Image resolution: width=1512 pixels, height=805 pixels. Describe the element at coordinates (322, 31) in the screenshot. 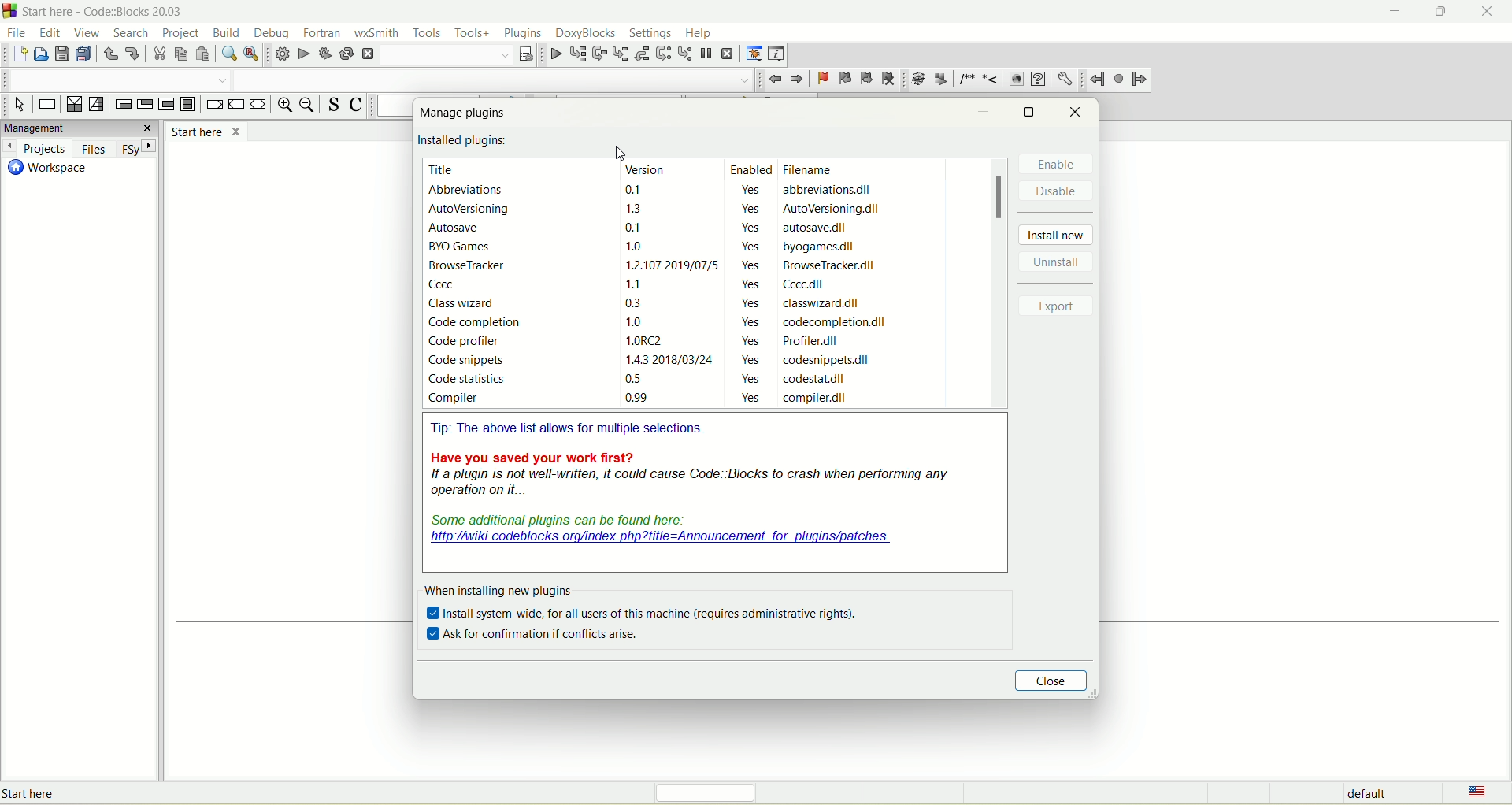

I see `fortan` at that location.